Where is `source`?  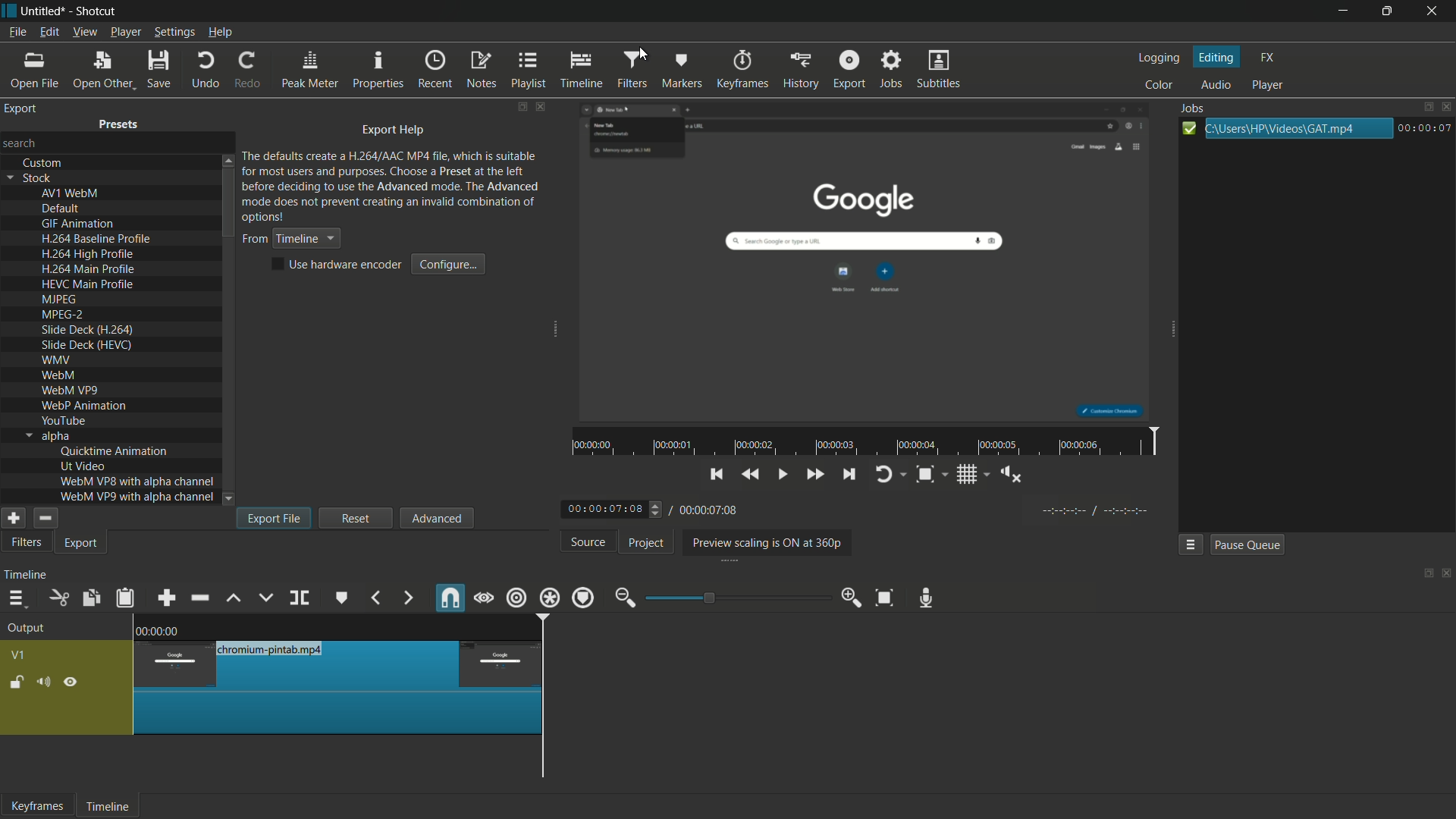 source is located at coordinates (589, 541).